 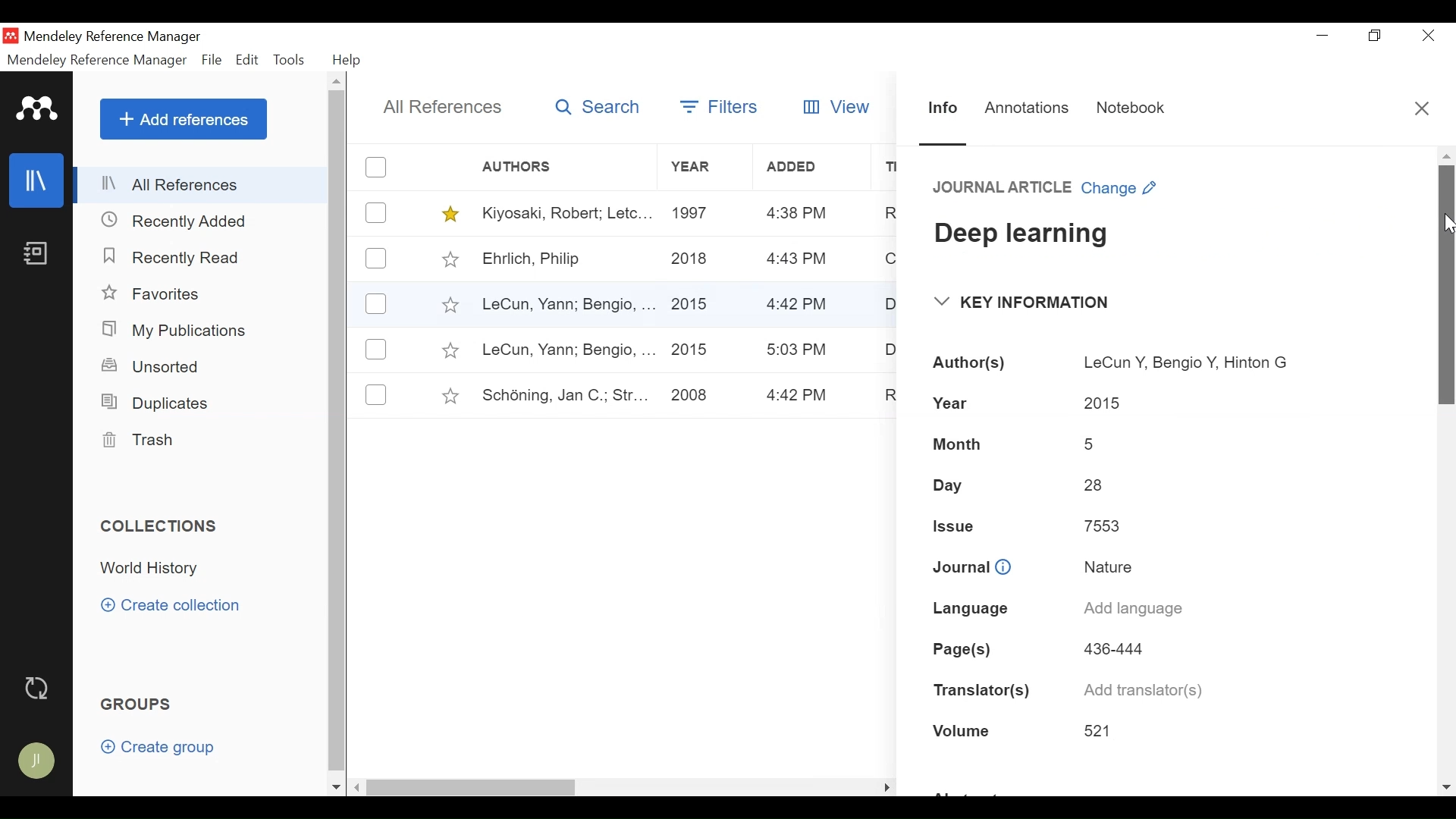 I want to click on Key Information, so click(x=1025, y=302).